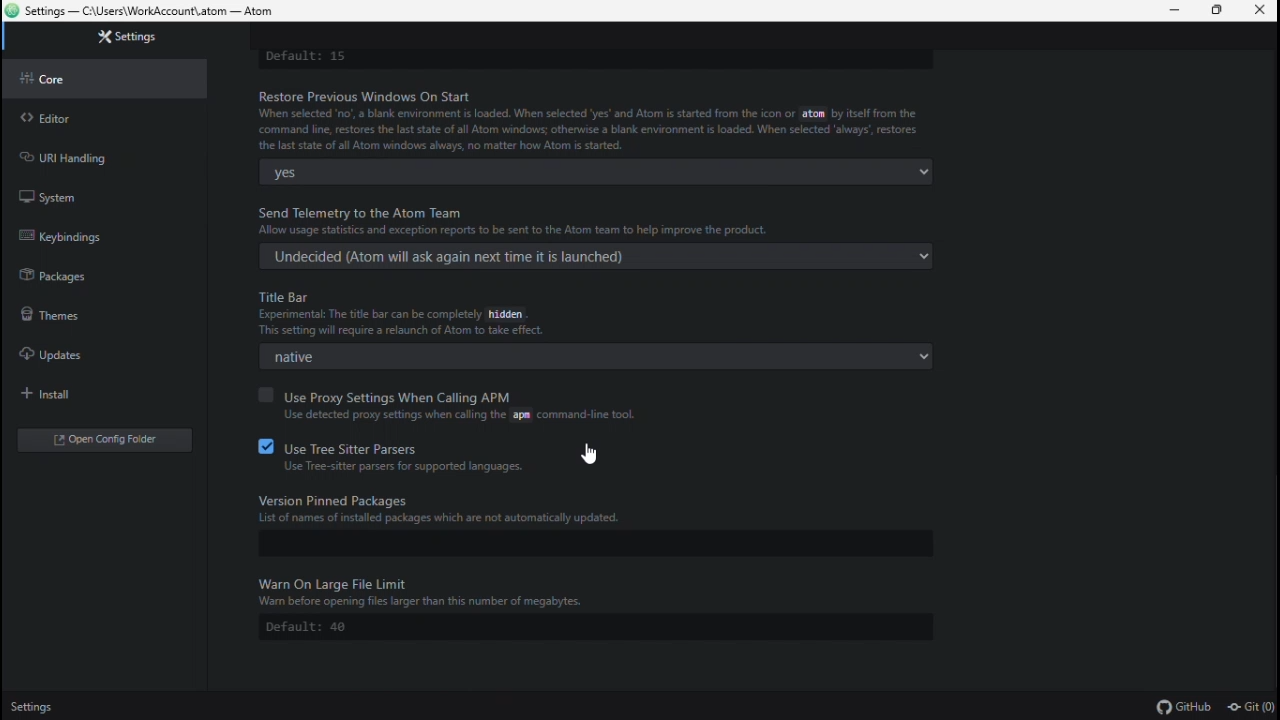 The width and height of the screenshot is (1280, 720). I want to click on GitHub, so click(1185, 706).